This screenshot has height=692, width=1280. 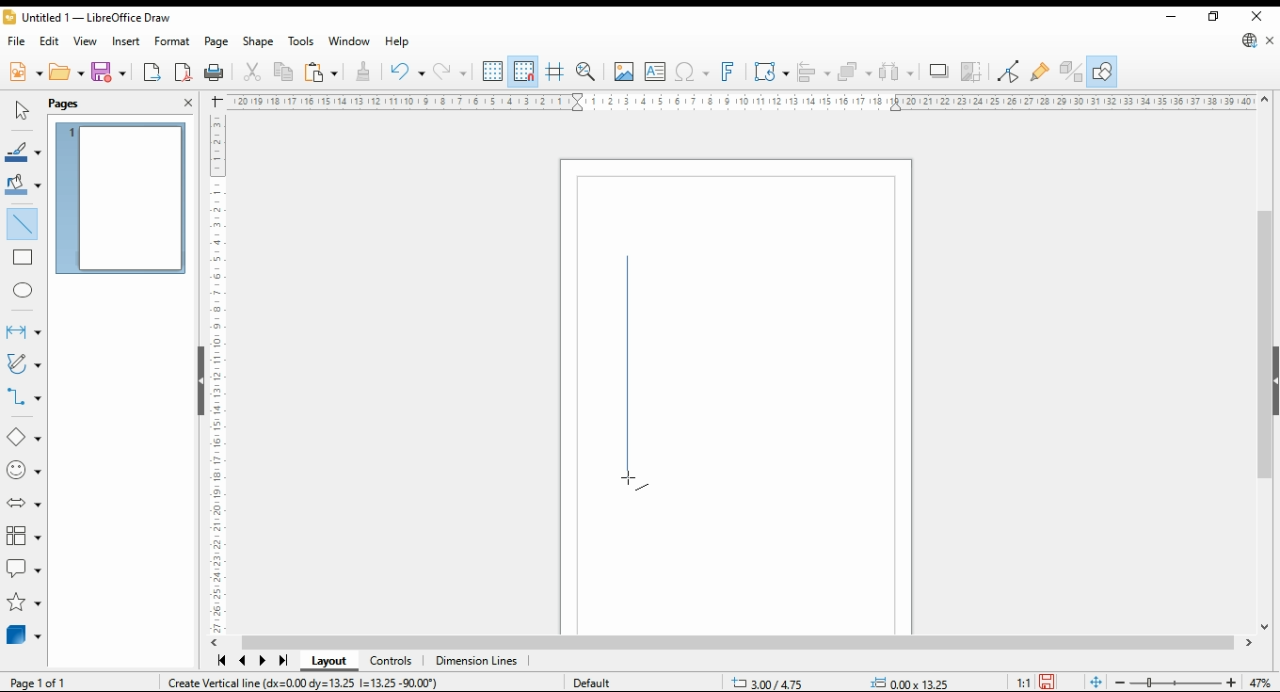 What do you see at coordinates (1274, 379) in the screenshot?
I see `collapse` at bounding box center [1274, 379].